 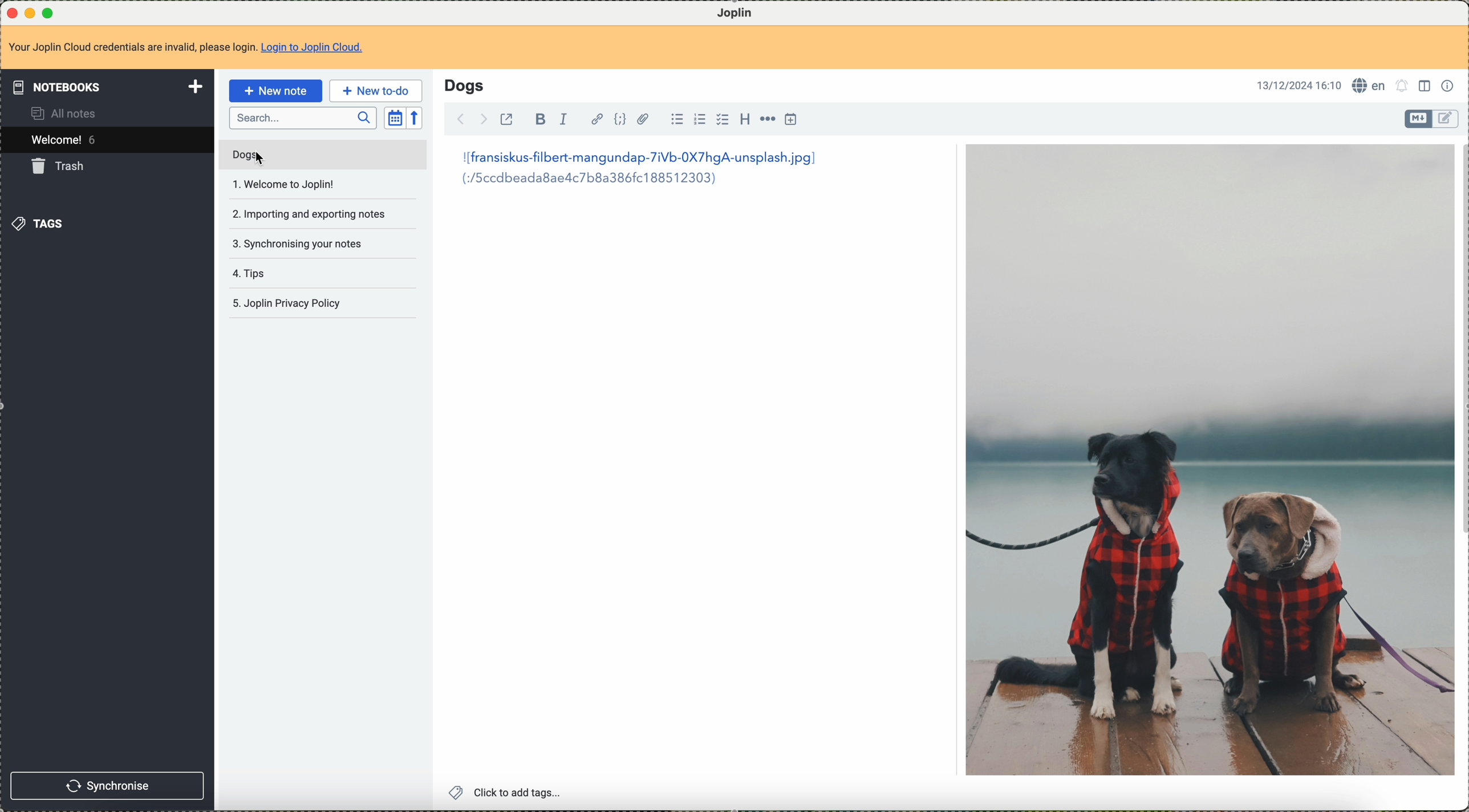 I want to click on tips, so click(x=253, y=274).